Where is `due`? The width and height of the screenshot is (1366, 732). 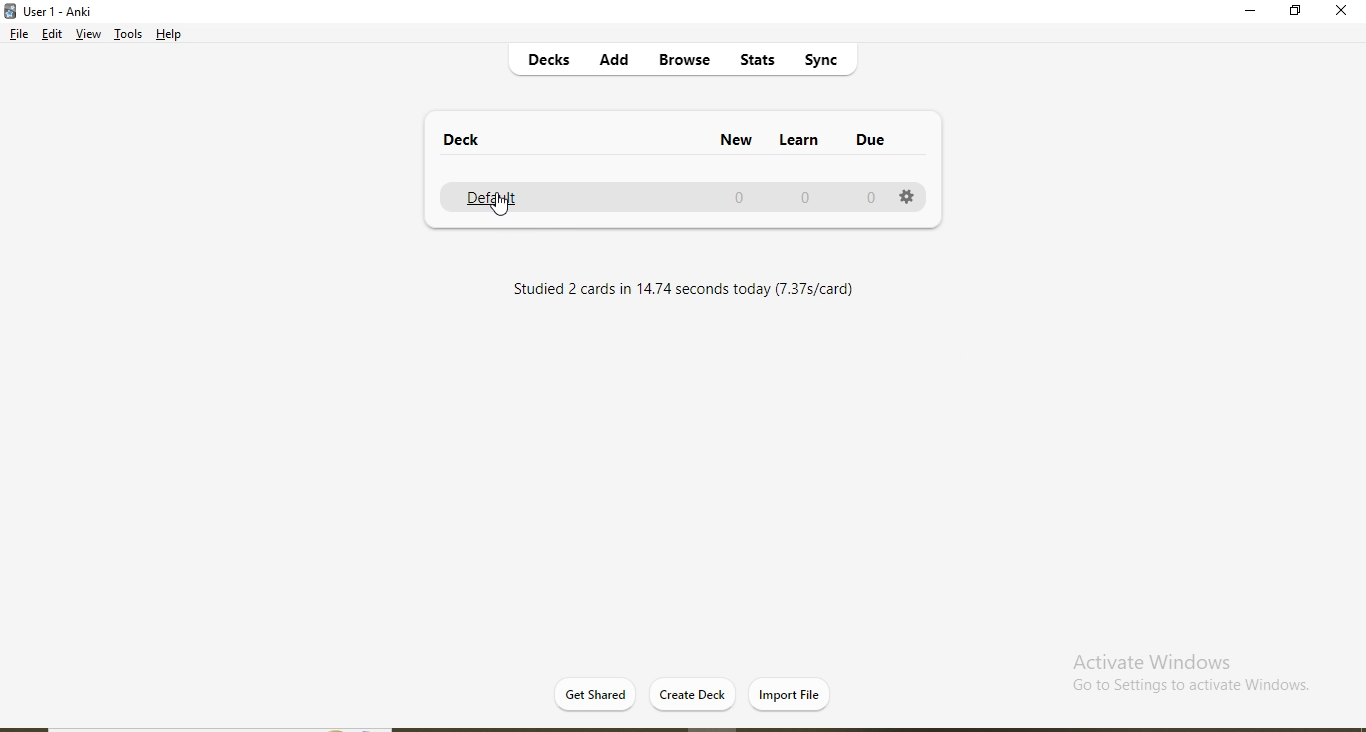 due is located at coordinates (891, 141).